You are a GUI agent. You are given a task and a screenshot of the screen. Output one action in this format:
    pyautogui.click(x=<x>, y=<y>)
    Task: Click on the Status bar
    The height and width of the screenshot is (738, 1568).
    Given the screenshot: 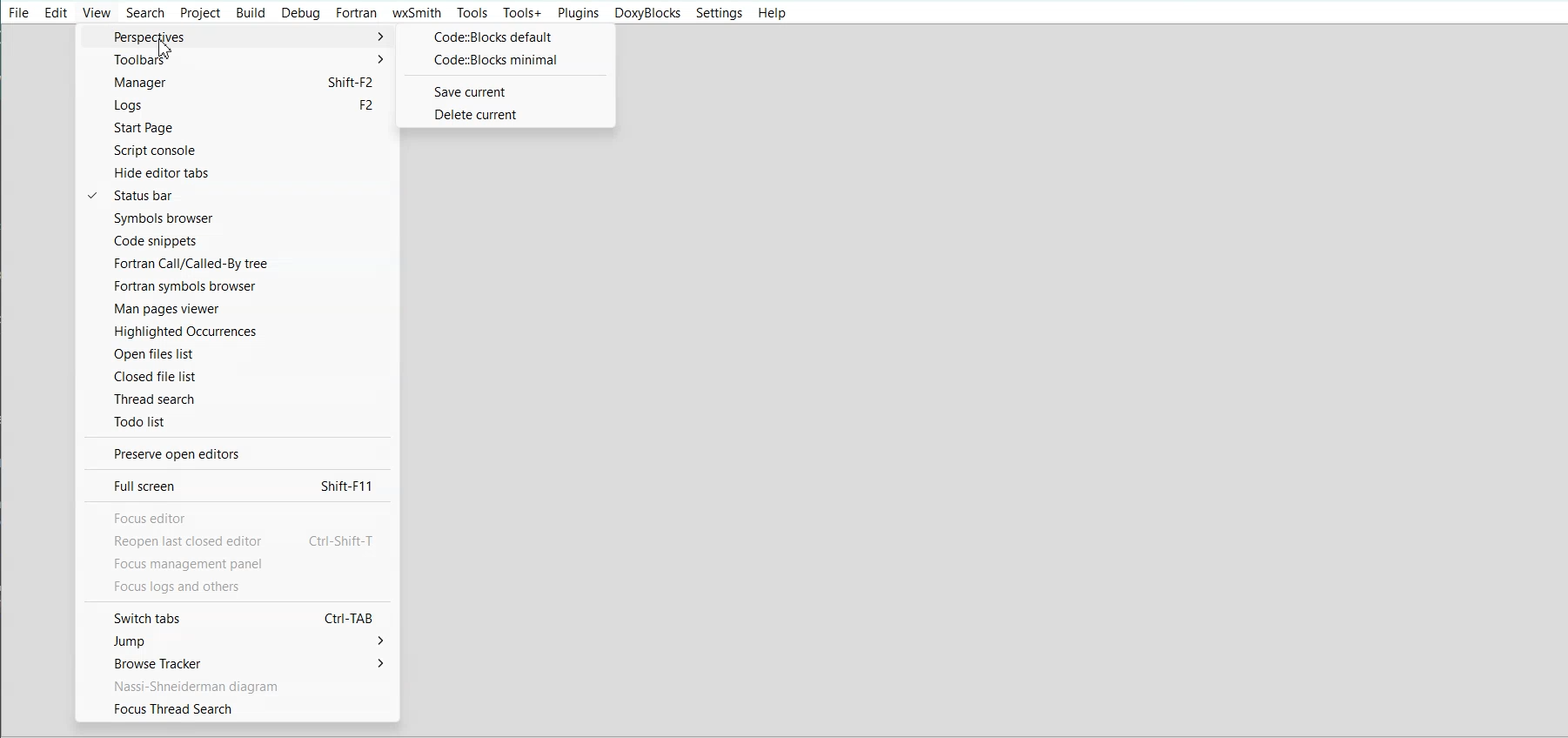 What is the action you would take?
    pyautogui.click(x=239, y=195)
    